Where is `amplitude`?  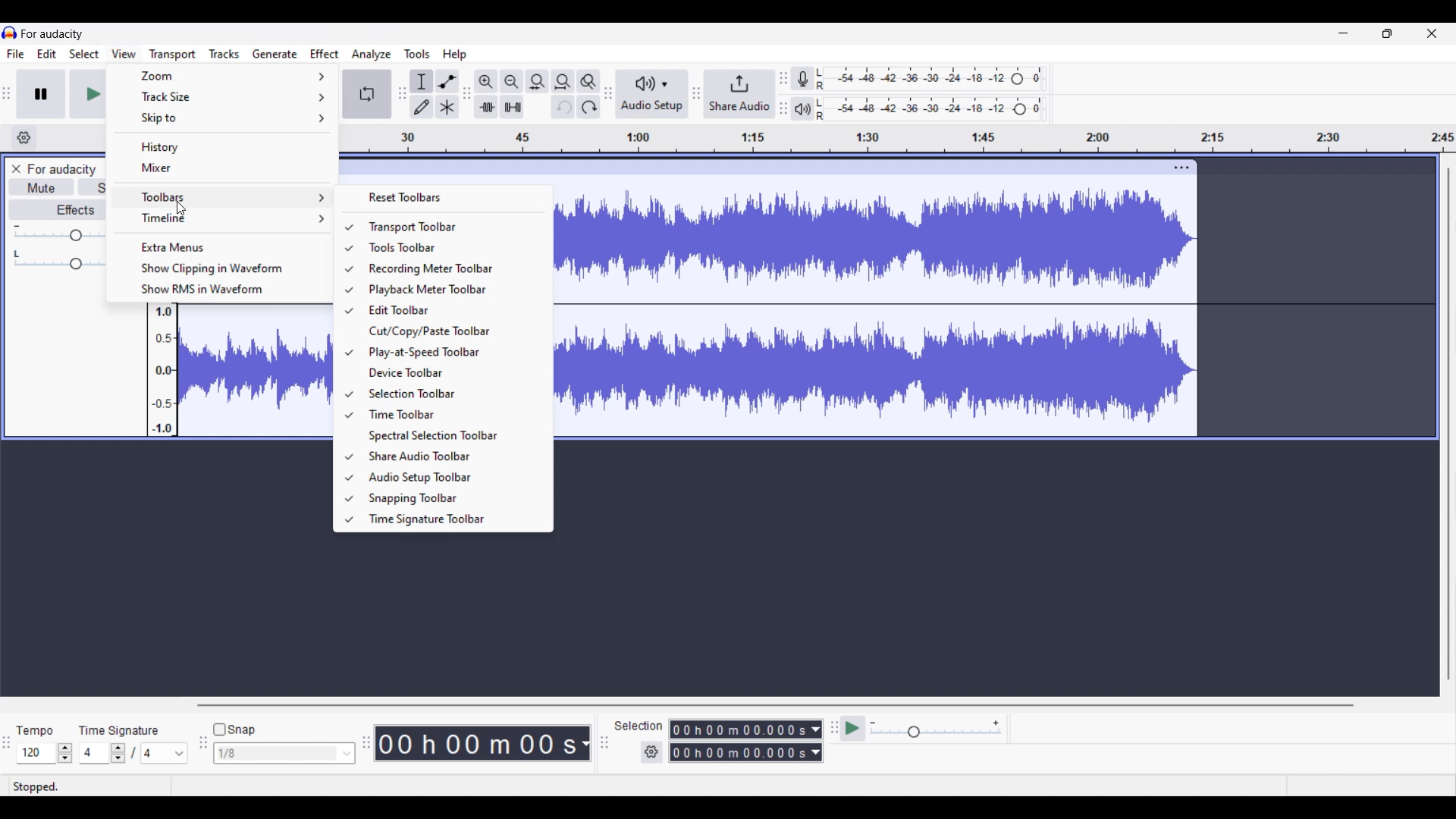 amplitude is located at coordinates (161, 372).